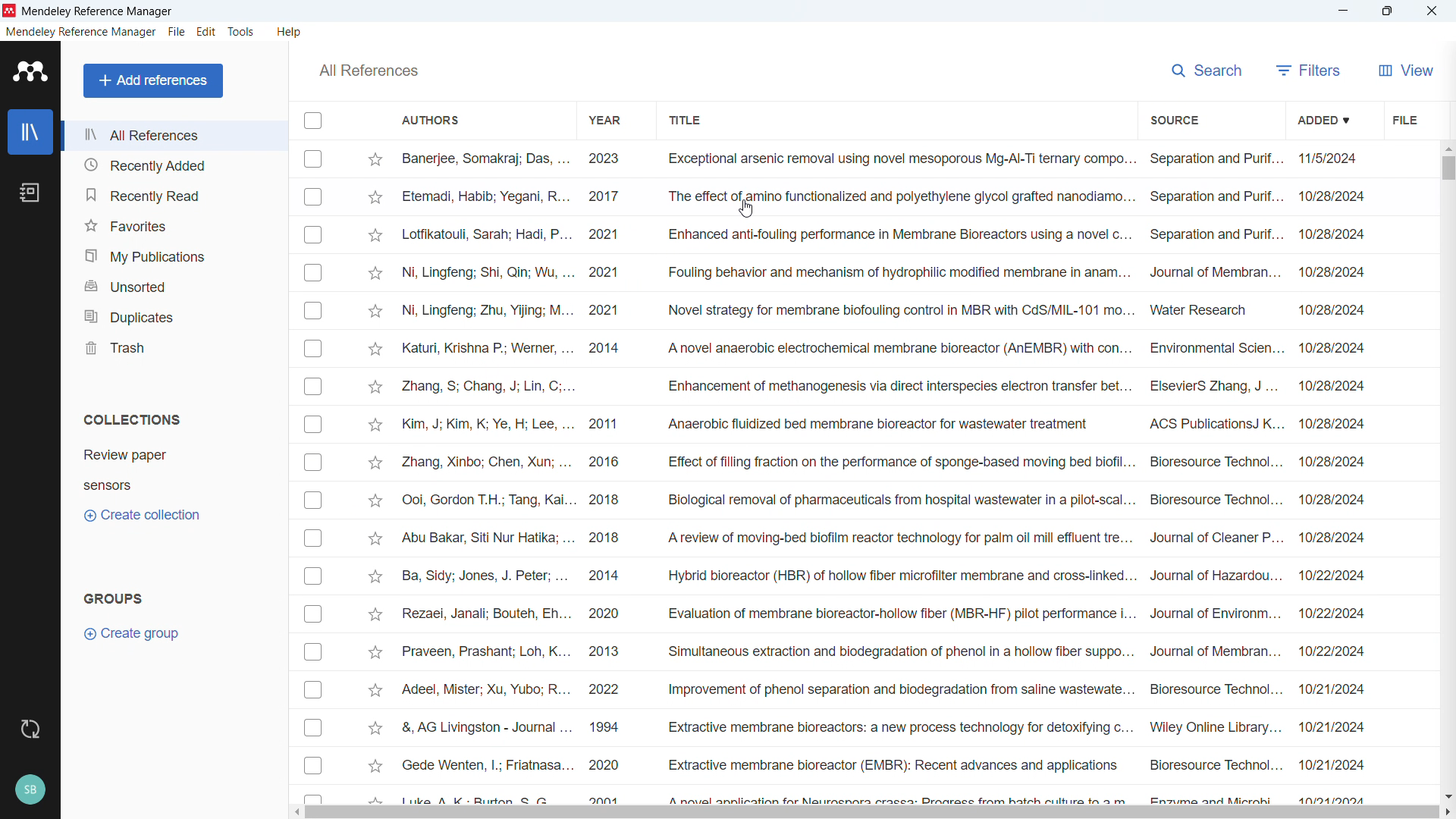  Describe the element at coordinates (1404, 119) in the screenshot. I see `File` at that location.